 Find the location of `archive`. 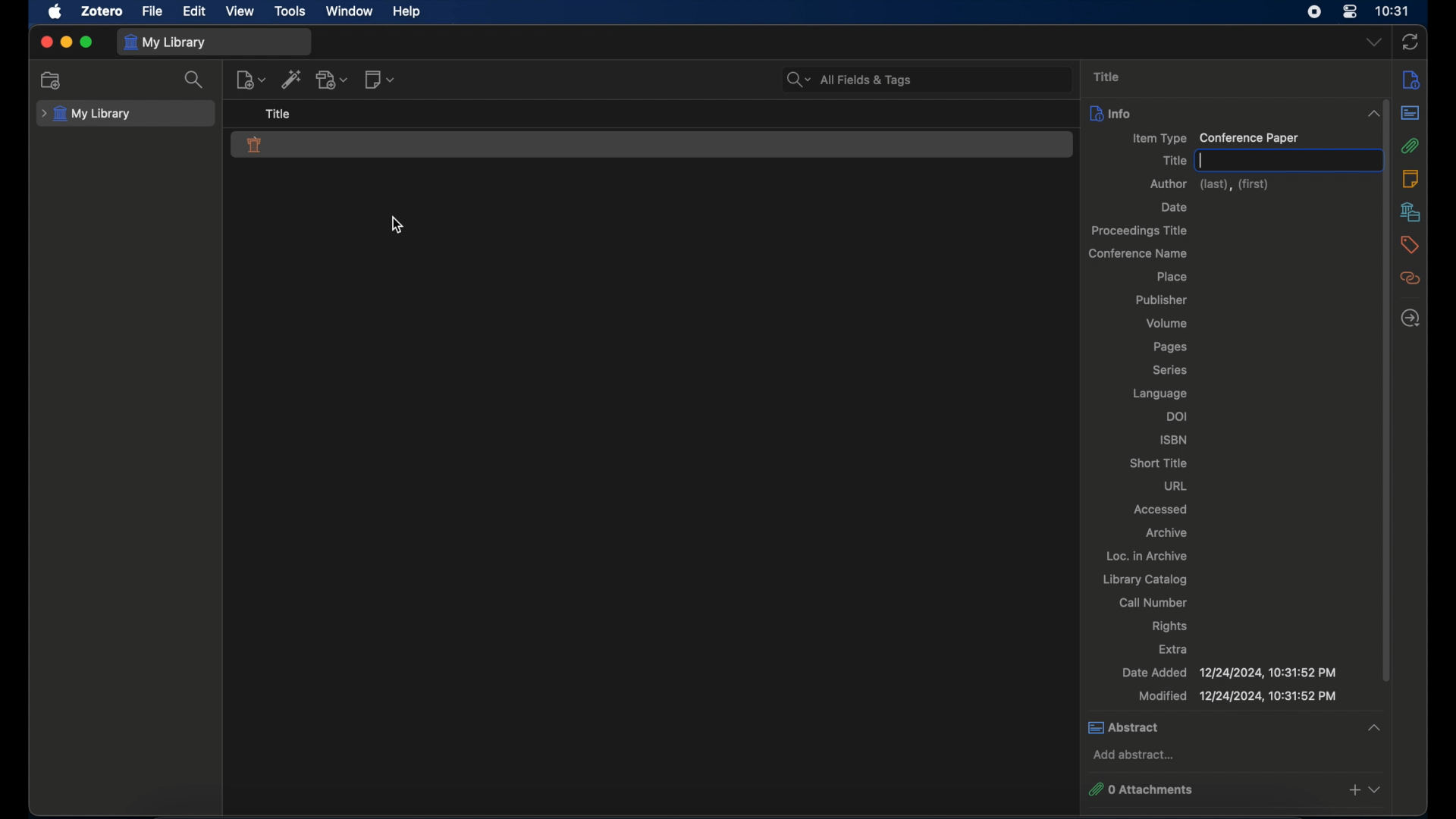

archive is located at coordinates (1169, 532).